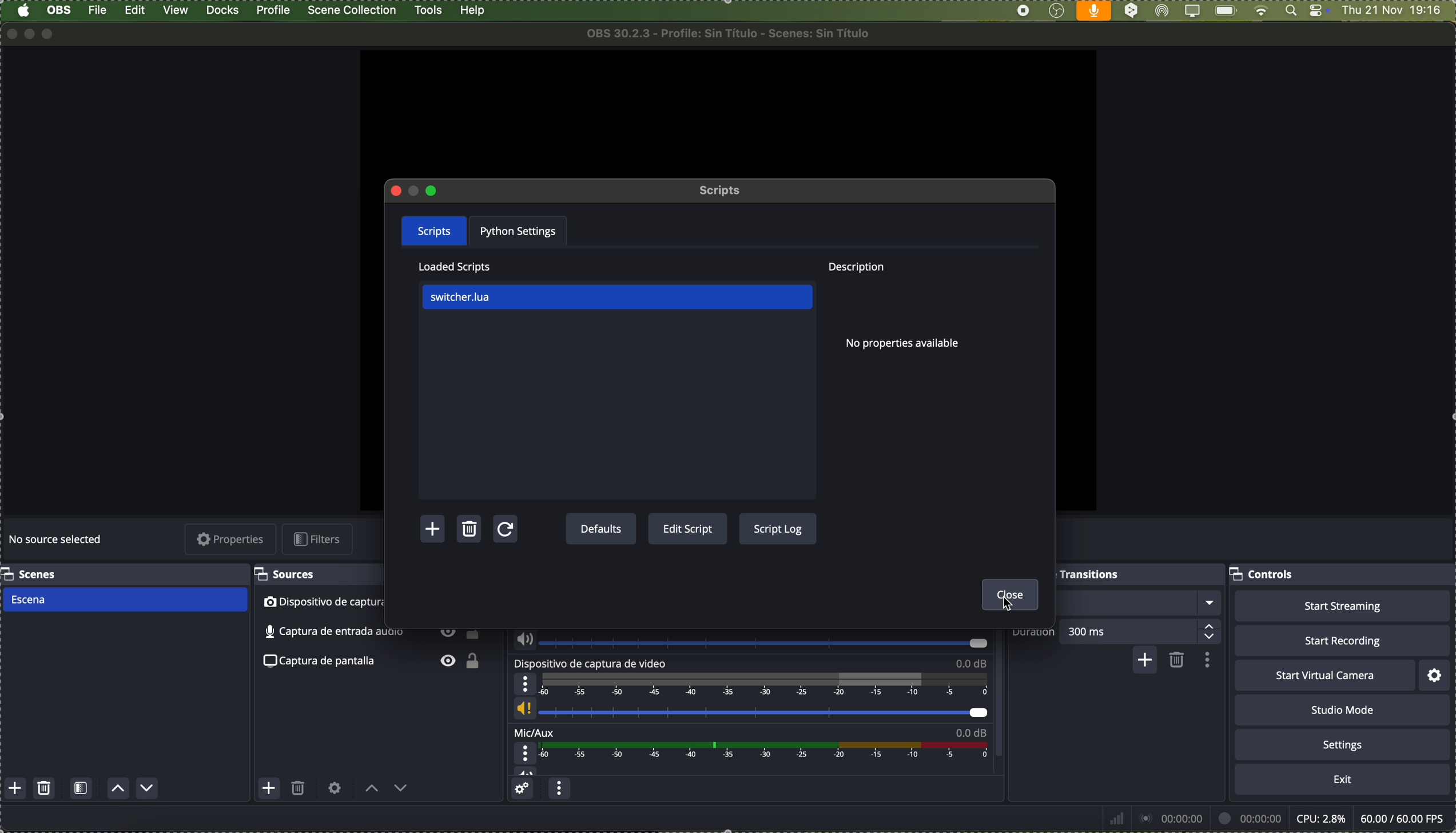  I want to click on AirDrop, so click(1163, 11).